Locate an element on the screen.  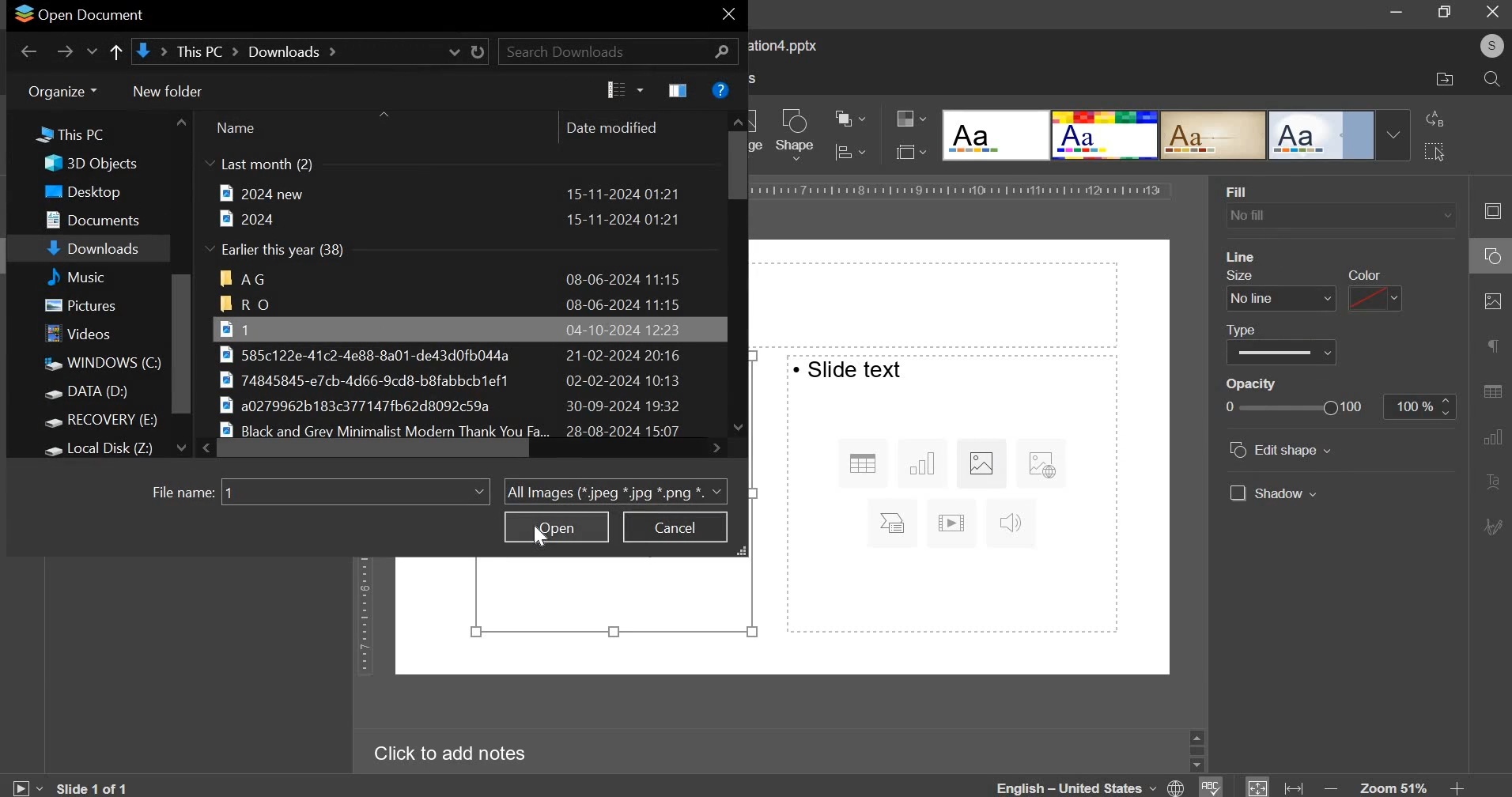
decrease zoom is located at coordinates (1334, 788).